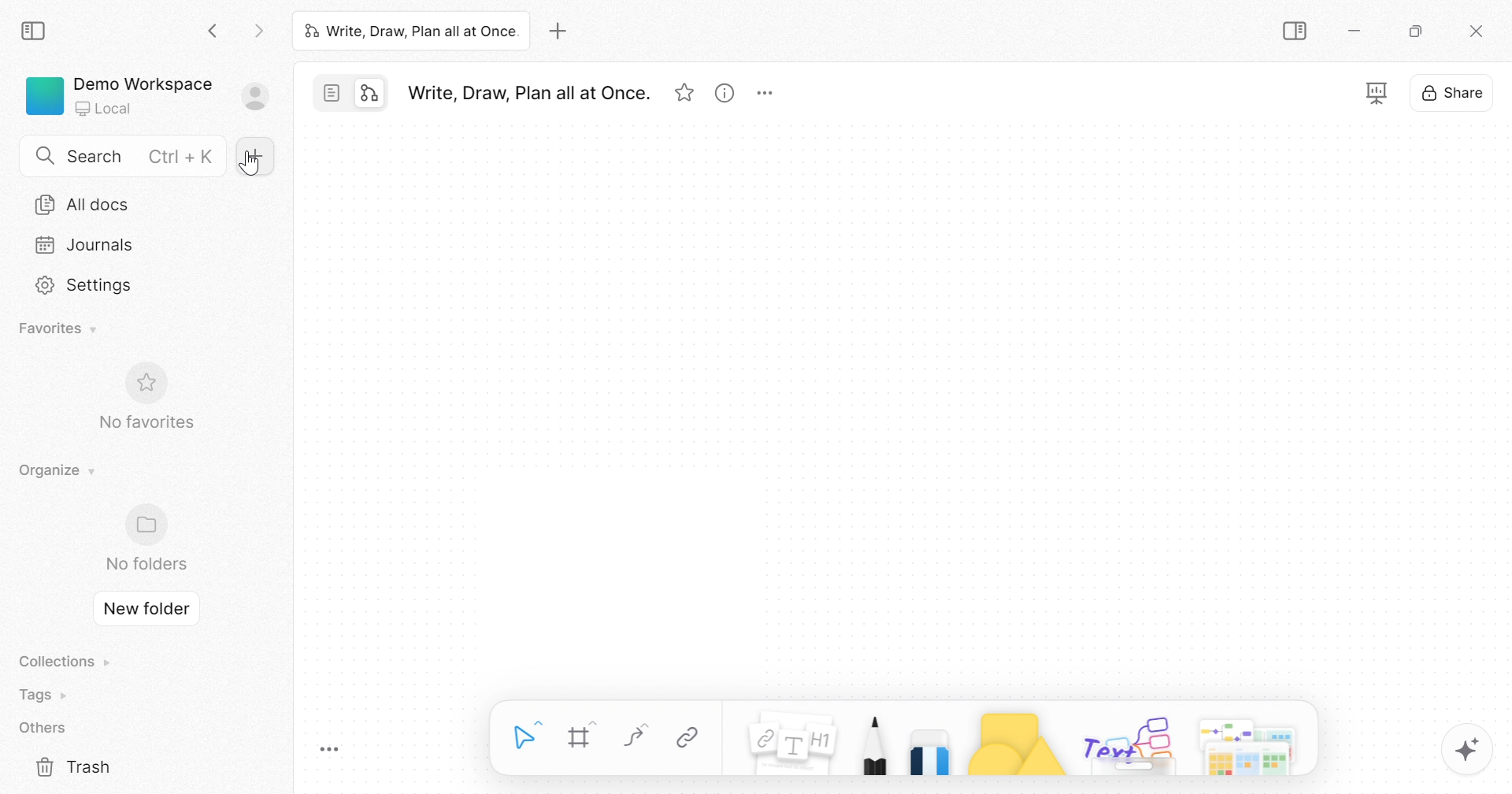 This screenshot has width=1512, height=794. I want to click on cursor, so click(252, 165).